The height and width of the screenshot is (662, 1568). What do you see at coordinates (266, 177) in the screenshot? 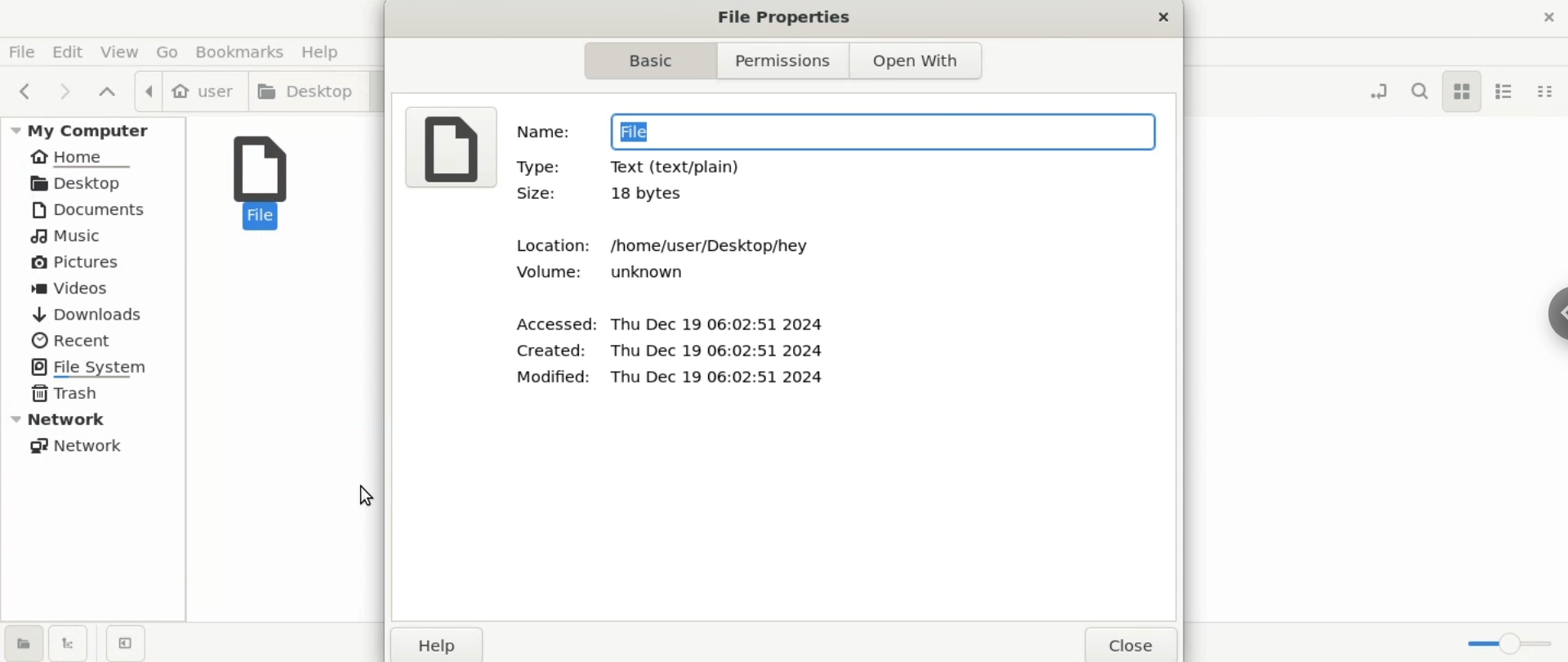
I see `file` at bounding box center [266, 177].